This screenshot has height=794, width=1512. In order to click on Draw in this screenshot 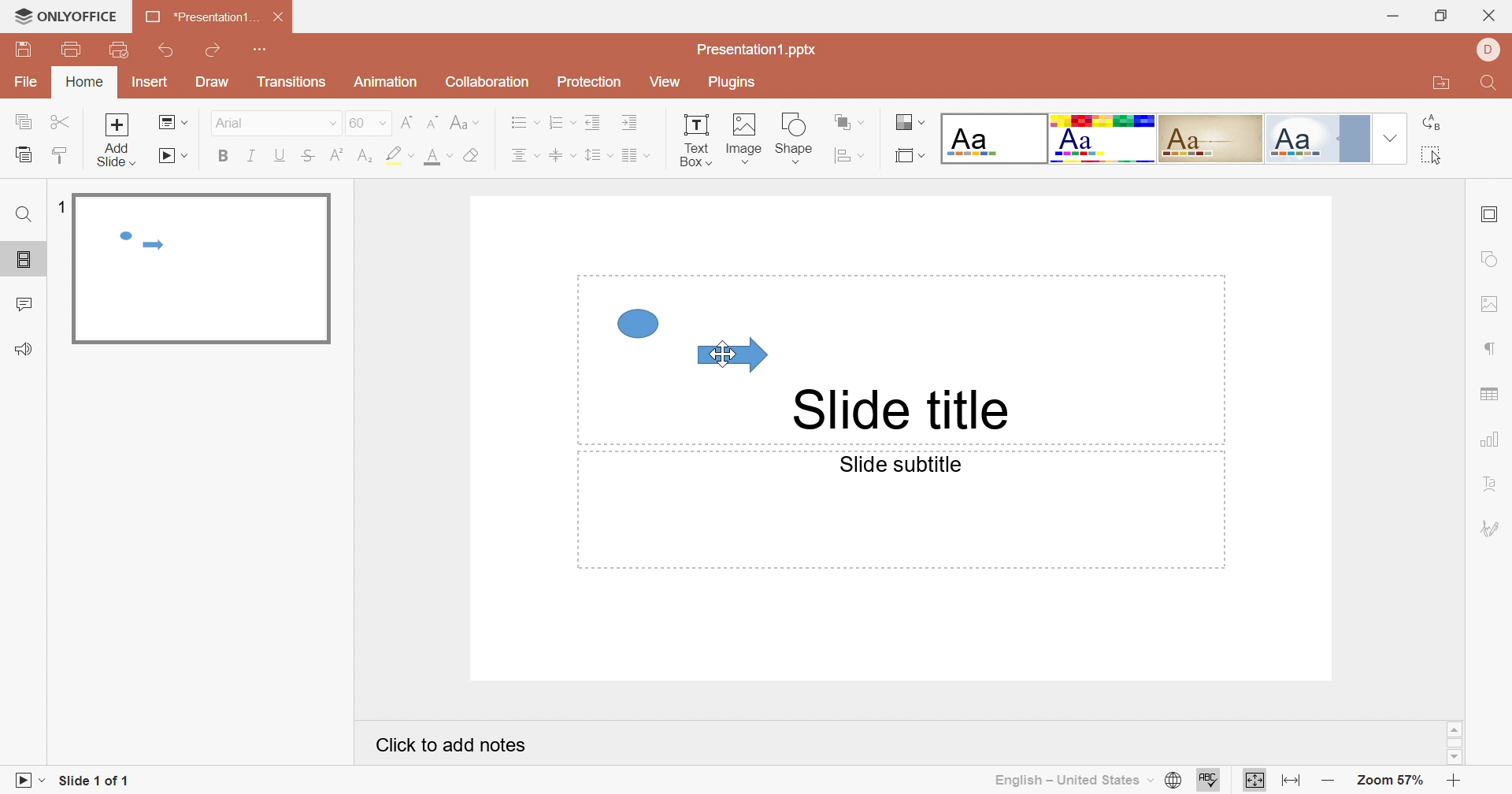, I will do `click(218, 83)`.